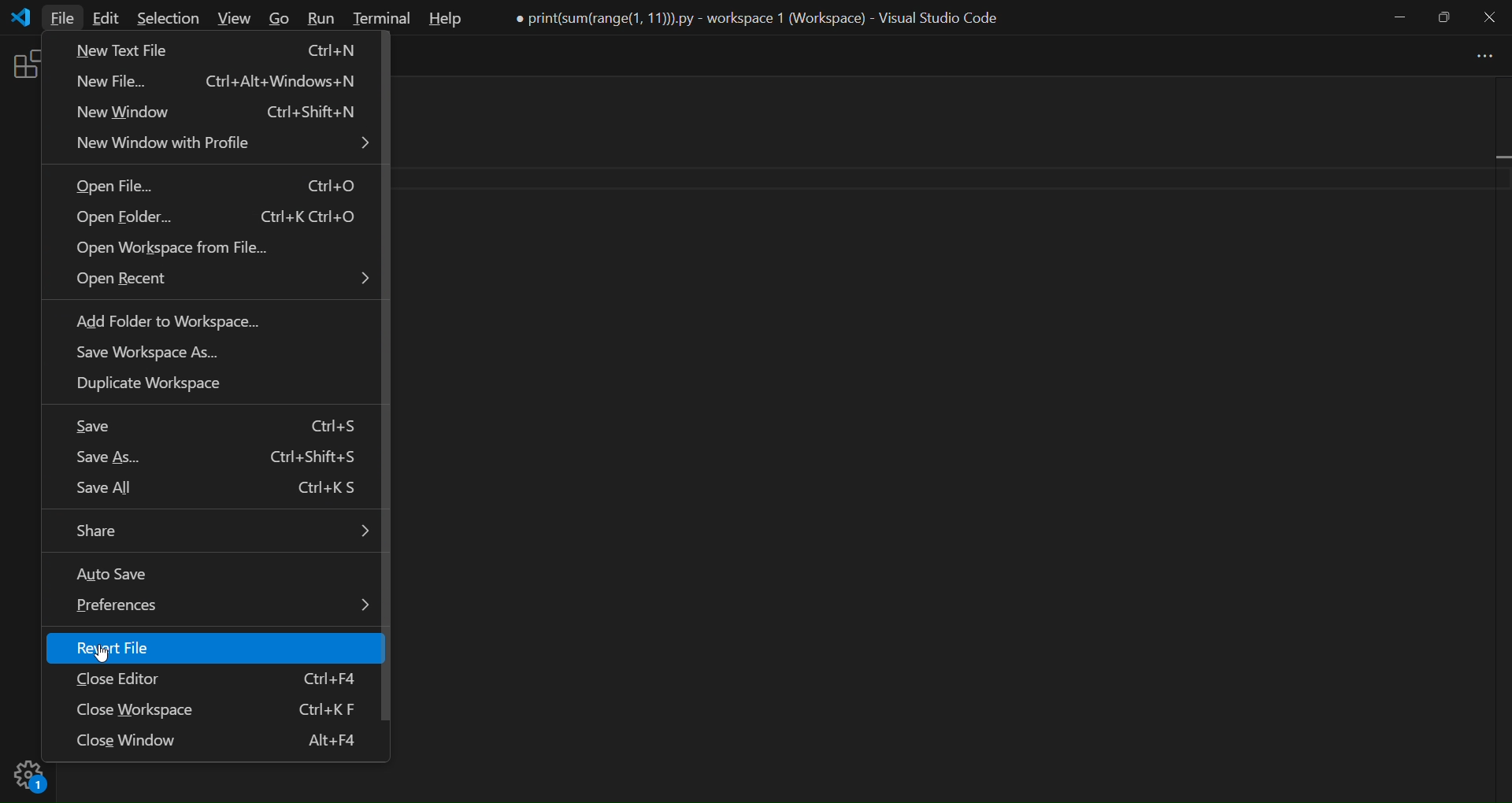  What do you see at coordinates (218, 710) in the screenshot?
I see `close workspace` at bounding box center [218, 710].